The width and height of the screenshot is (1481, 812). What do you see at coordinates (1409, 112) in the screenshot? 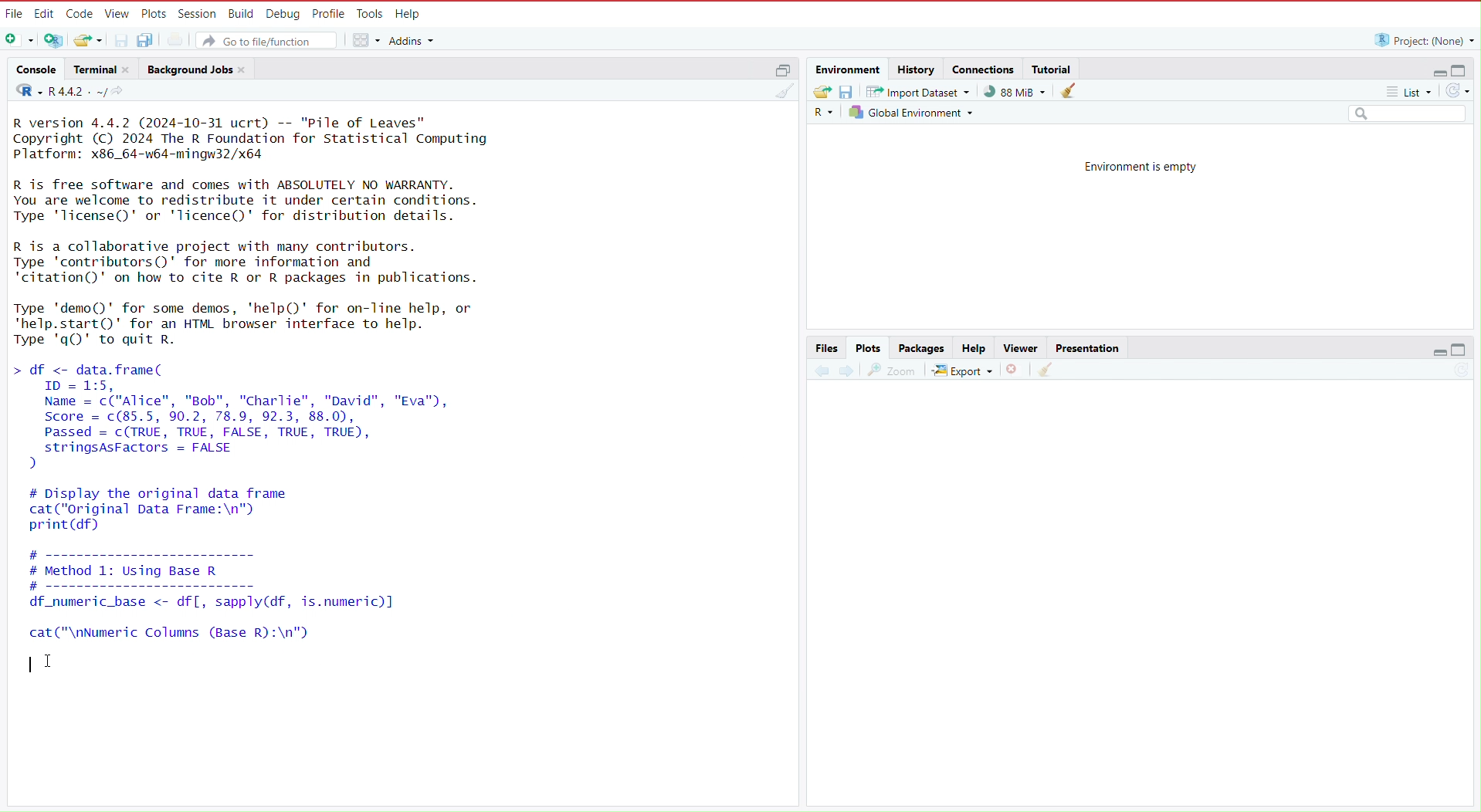
I see `Search field` at bounding box center [1409, 112].